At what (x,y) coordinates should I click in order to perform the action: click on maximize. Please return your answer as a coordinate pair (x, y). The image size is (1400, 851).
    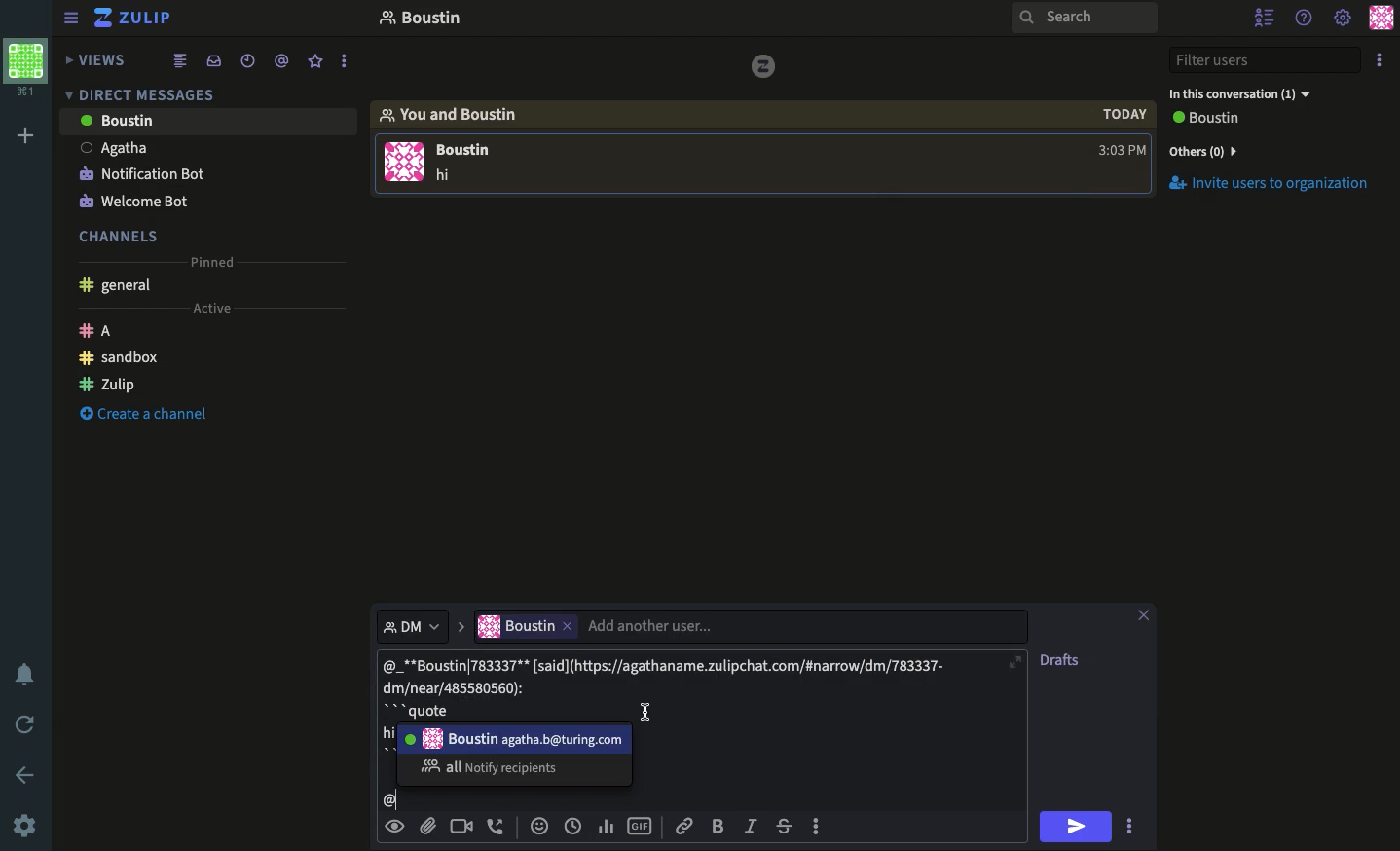
    Looking at the image, I should click on (1016, 662).